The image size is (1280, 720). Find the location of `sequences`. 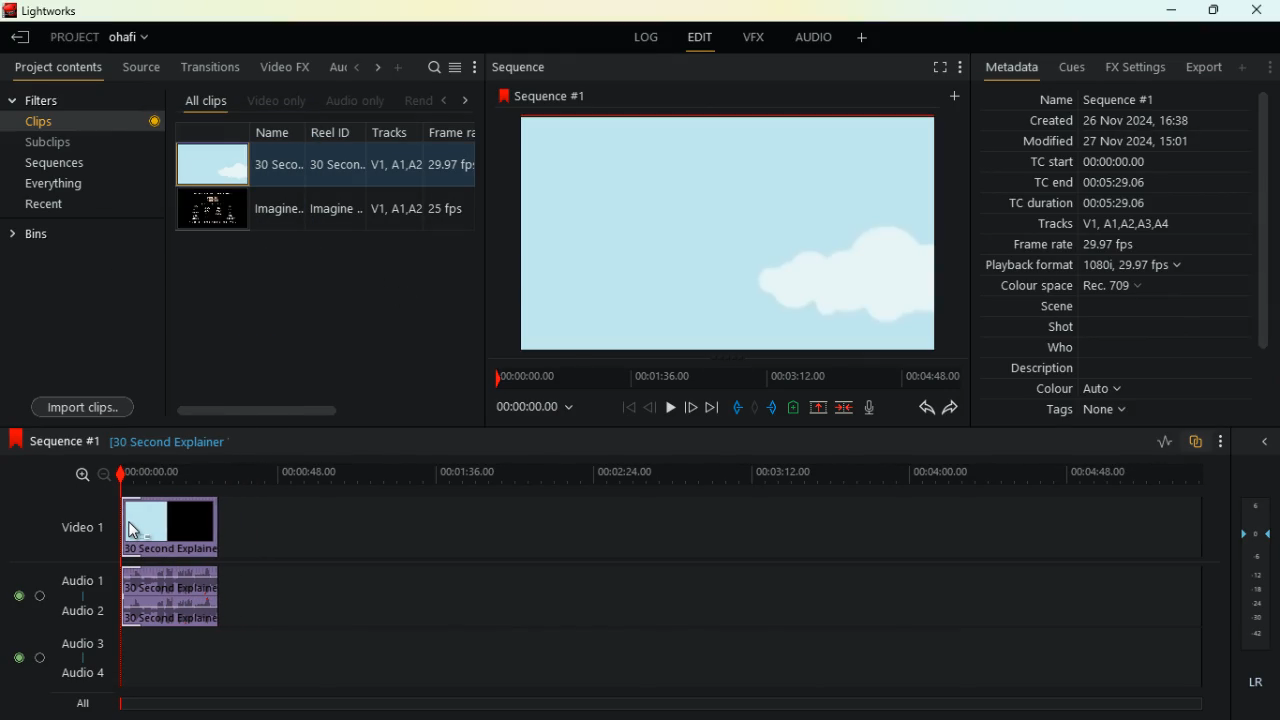

sequences is located at coordinates (63, 164).